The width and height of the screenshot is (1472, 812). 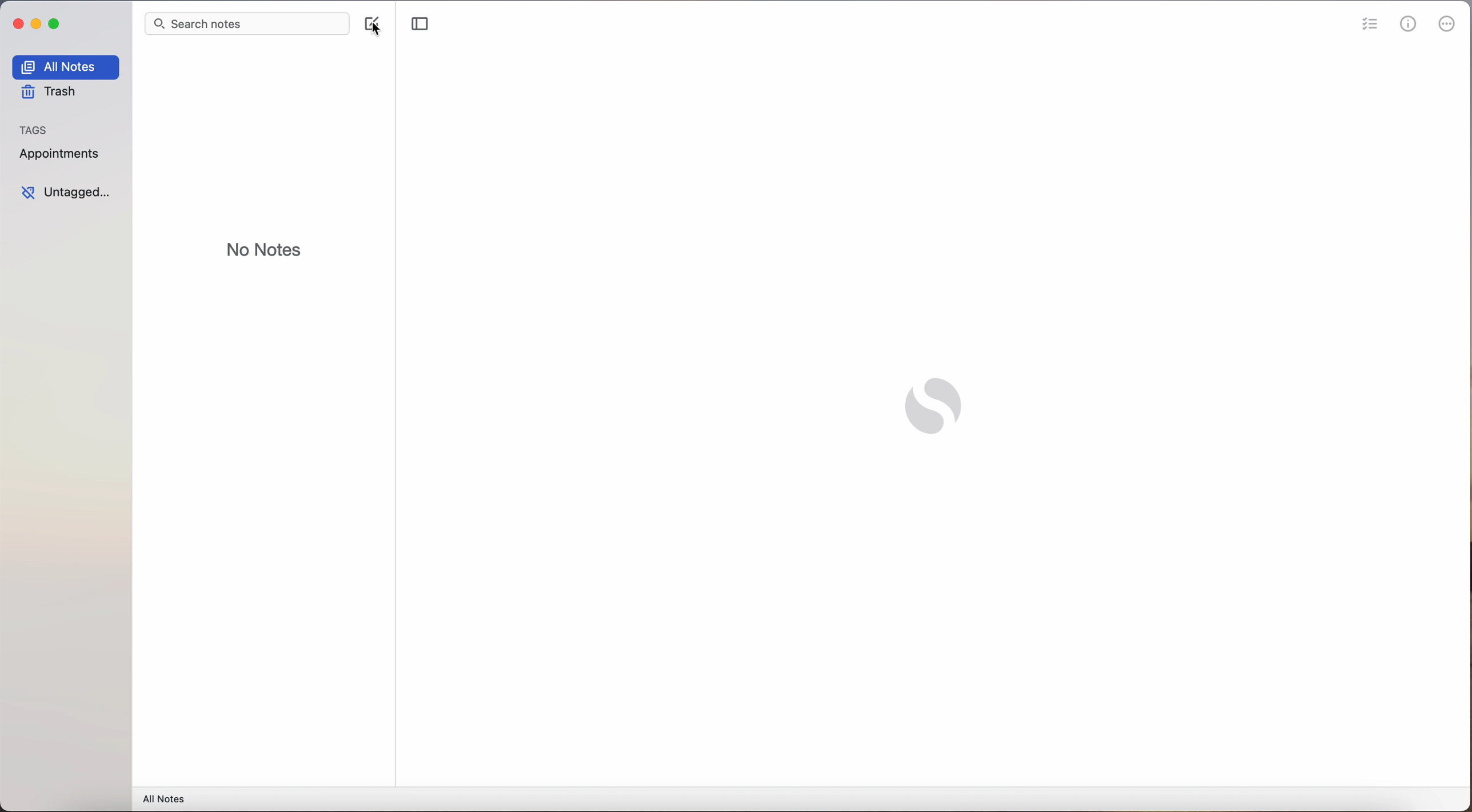 What do you see at coordinates (1449, 23) in the screenshot?
I see `more options` at bounding box center [1449, 23].